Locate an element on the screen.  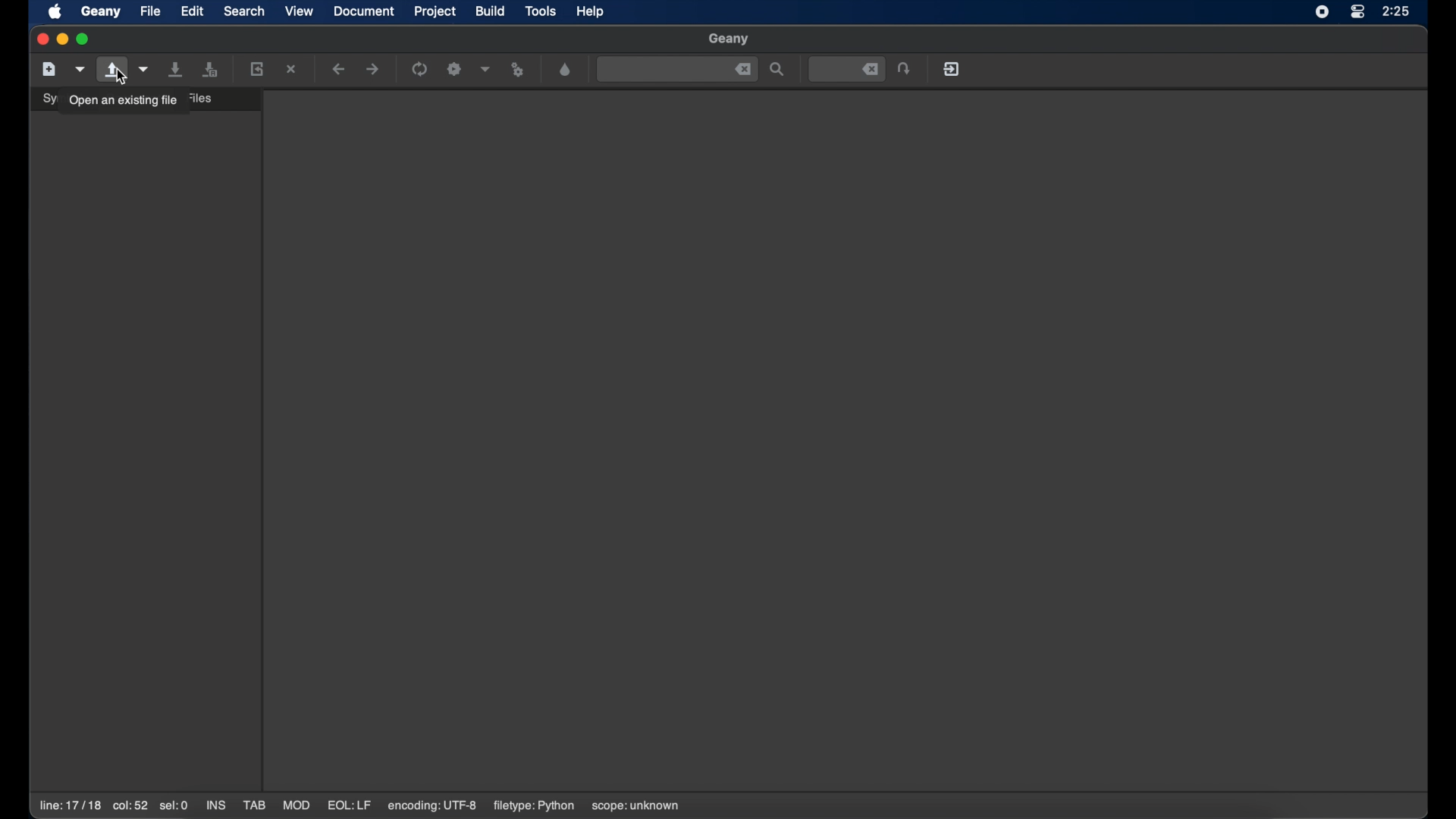
tab is located at coordinates (256, 805).